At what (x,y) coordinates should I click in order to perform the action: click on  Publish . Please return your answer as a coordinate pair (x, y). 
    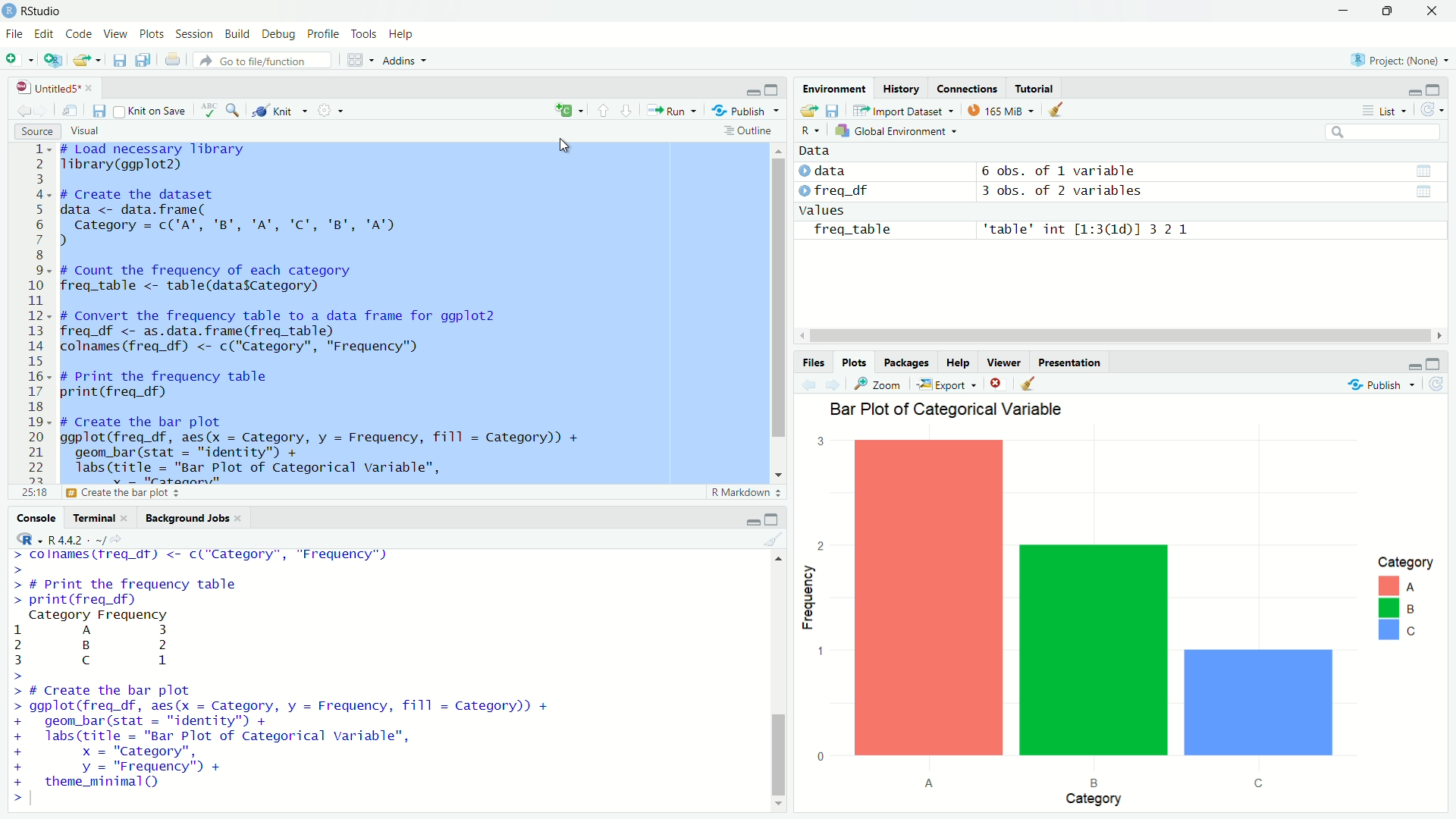
    Looking at the image, I should click on (1373, 385).